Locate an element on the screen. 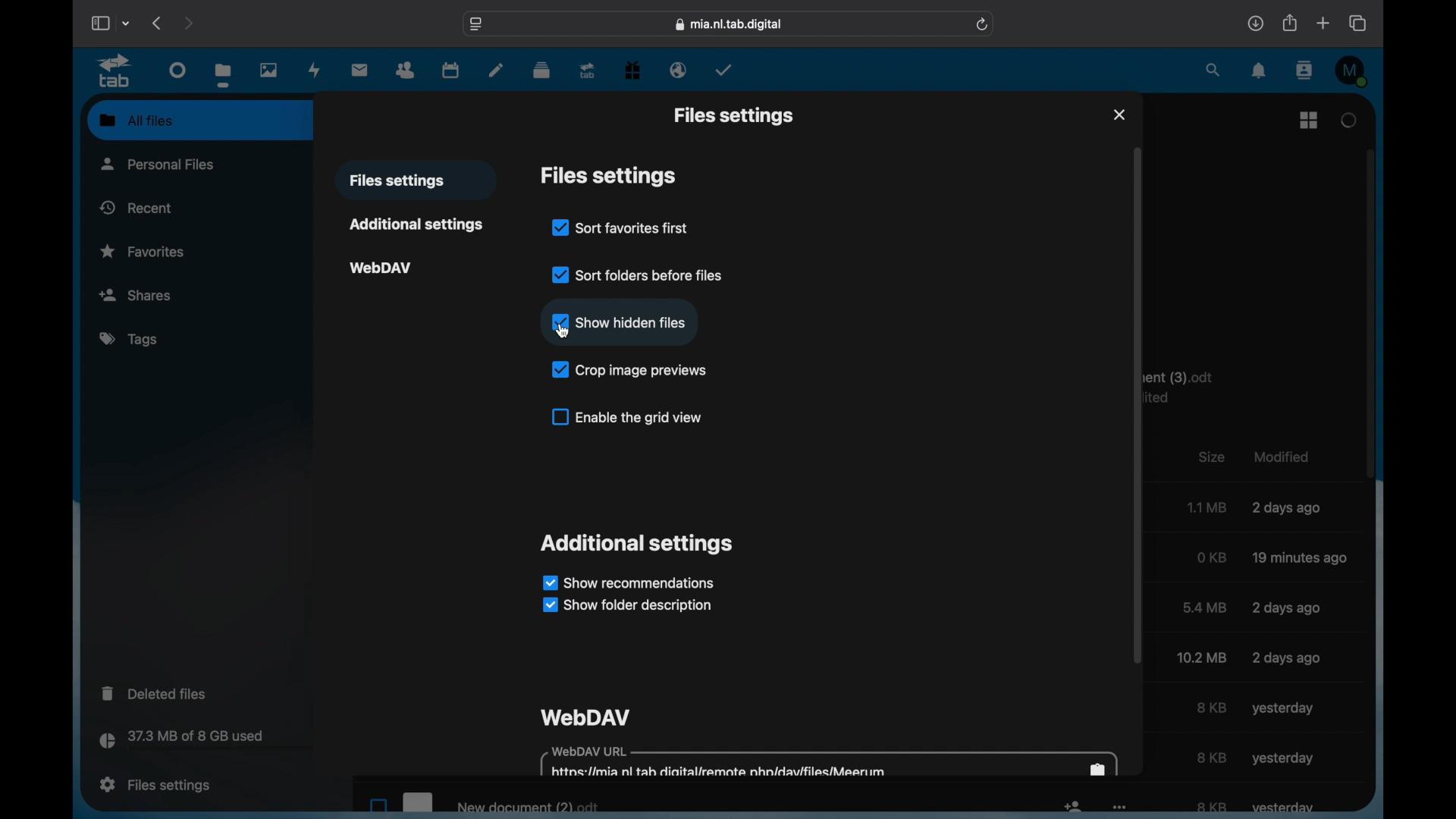 The height and width of the screenshot is (819, 1456). calendar is located at coordinates (452, 71).